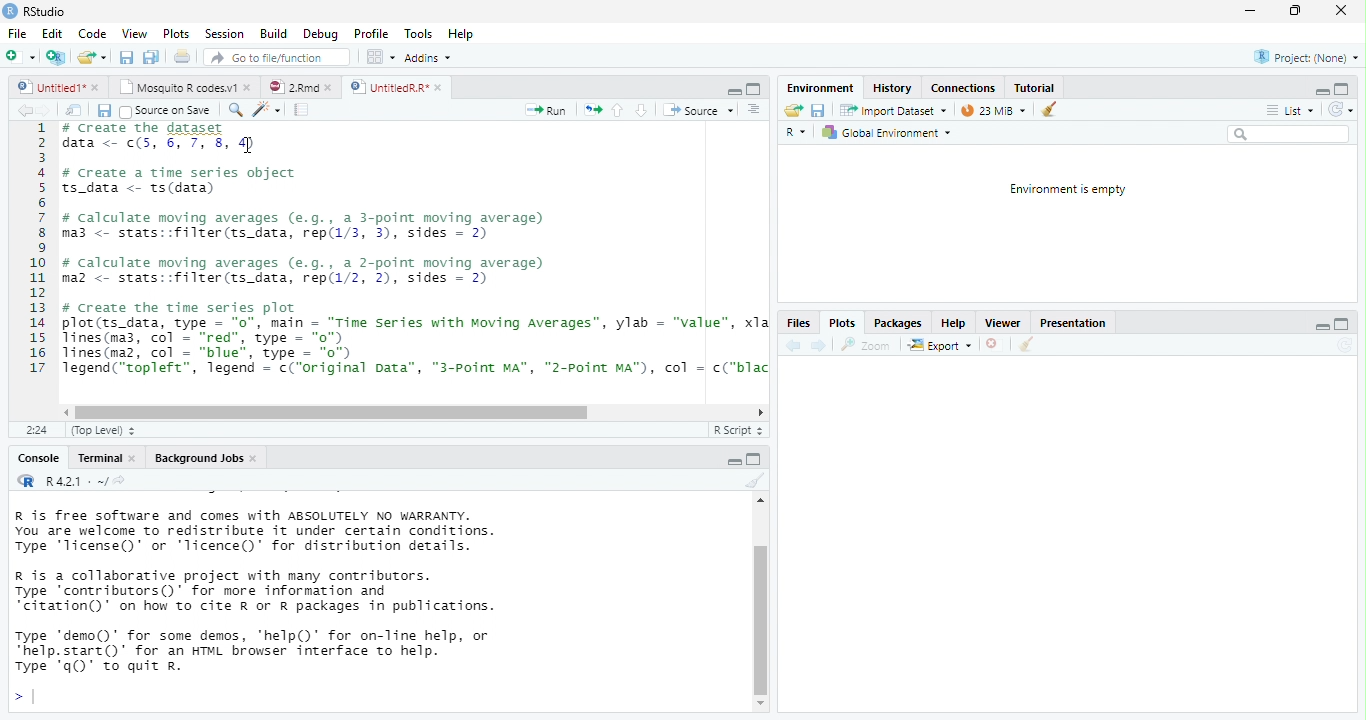 The height and width of the screenshot is (720, 1366). I want to click on Viewer, so click(1002, 323).